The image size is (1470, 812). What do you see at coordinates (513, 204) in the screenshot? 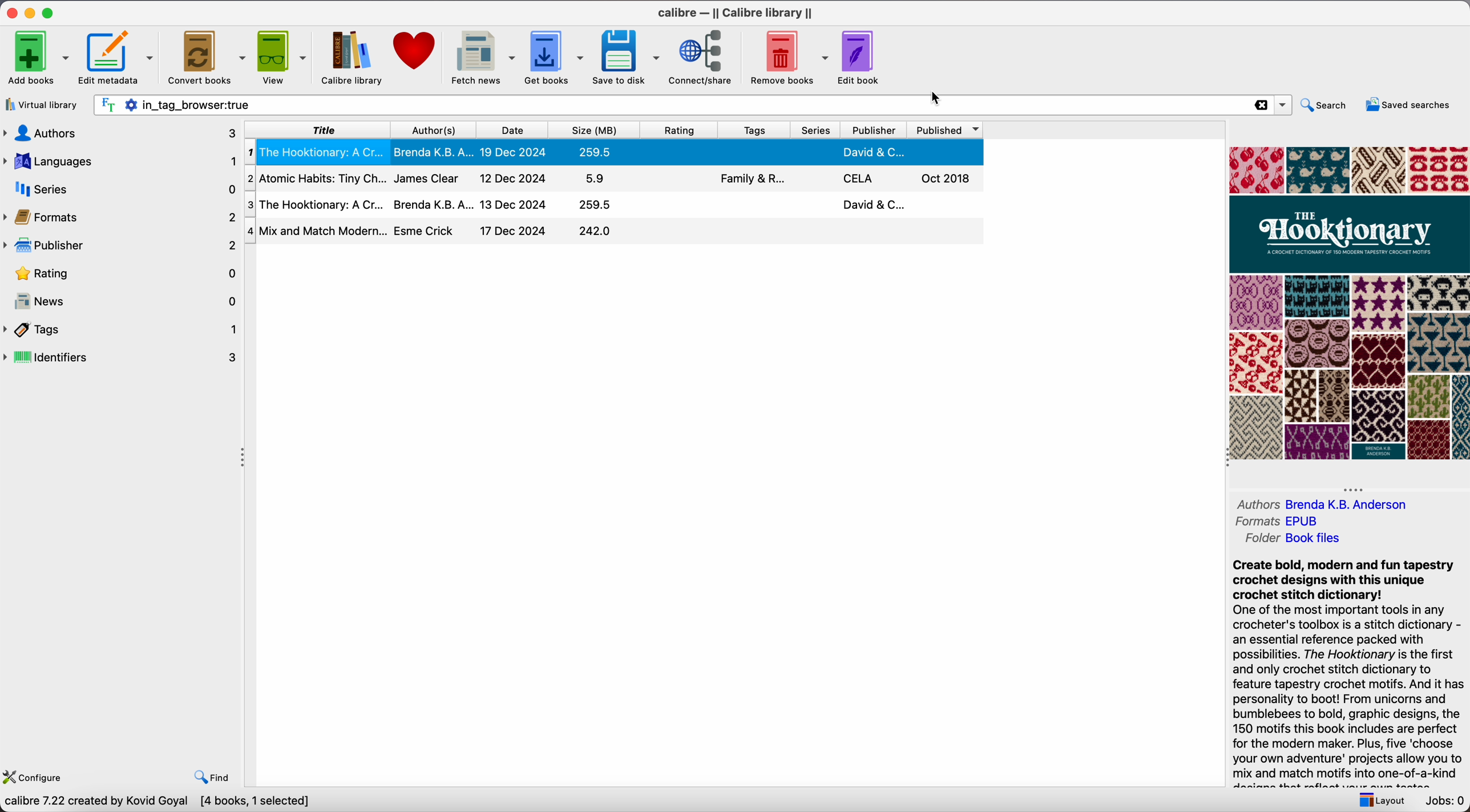
I see `13 Dec 2024` at bounding box center [513, 204].